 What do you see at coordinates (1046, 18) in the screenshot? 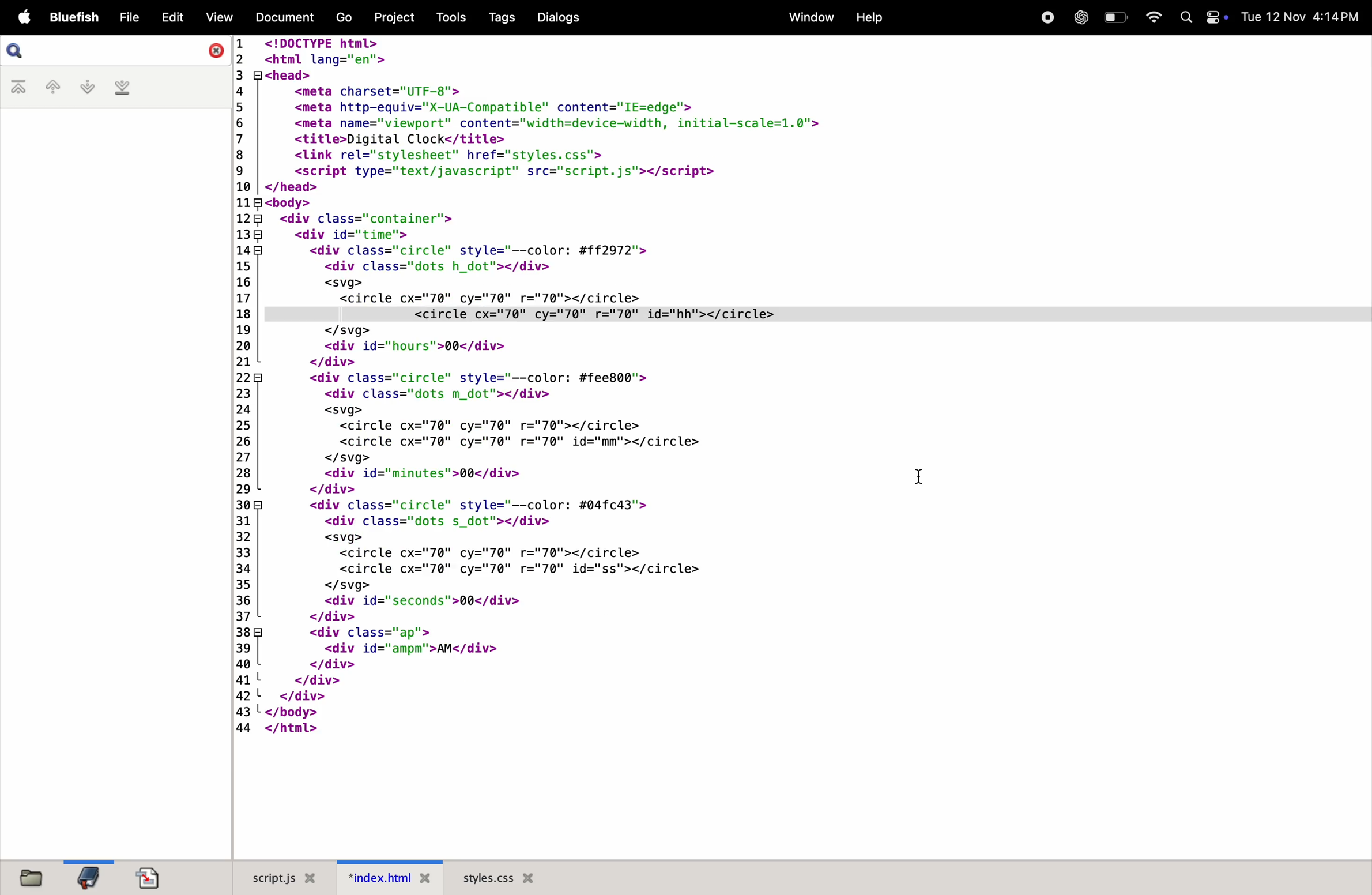
I see `record` at bounding box center [1046, 18].